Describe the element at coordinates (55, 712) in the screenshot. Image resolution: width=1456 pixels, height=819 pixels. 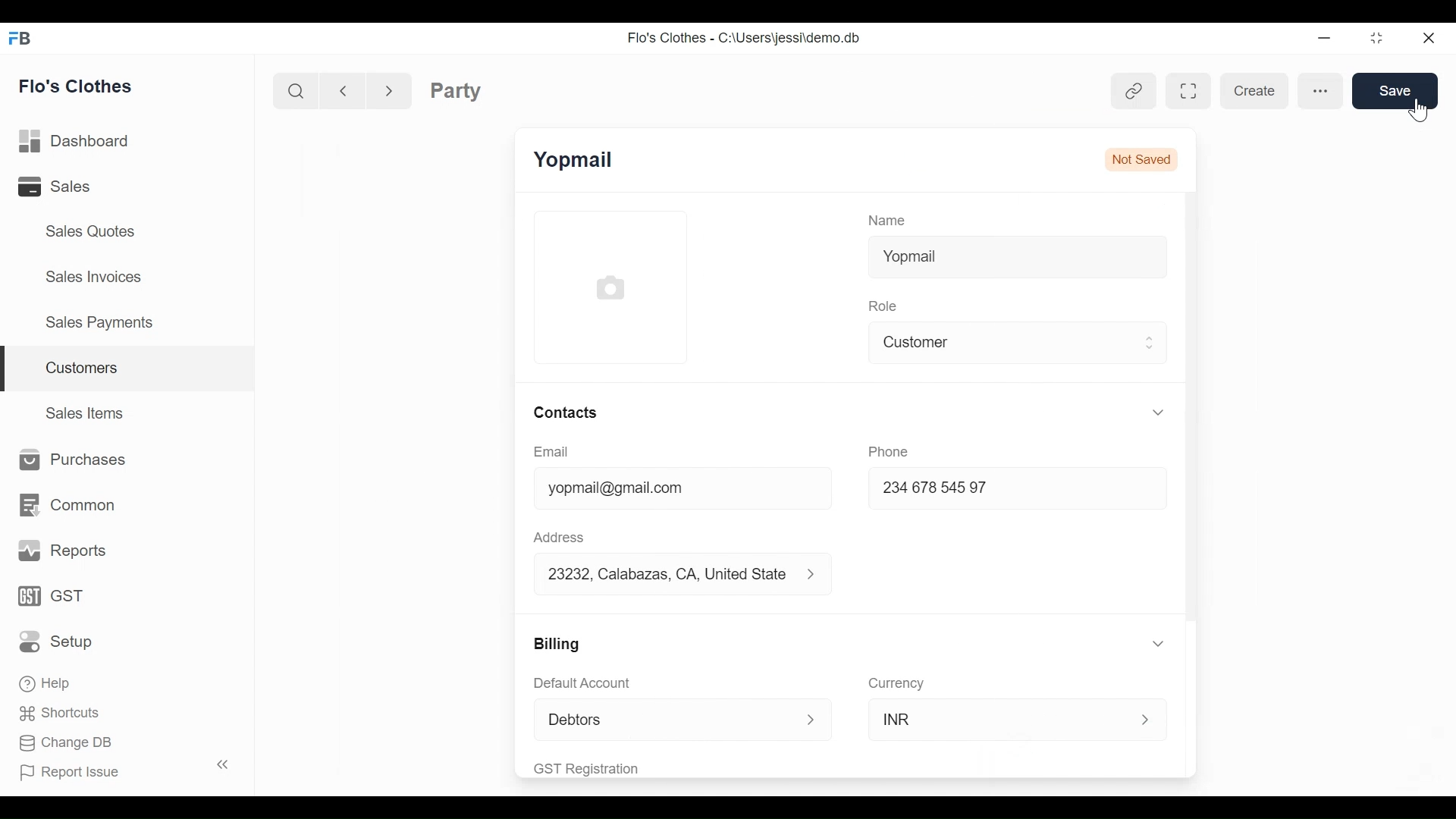
I see `Shortcuts` at that location.